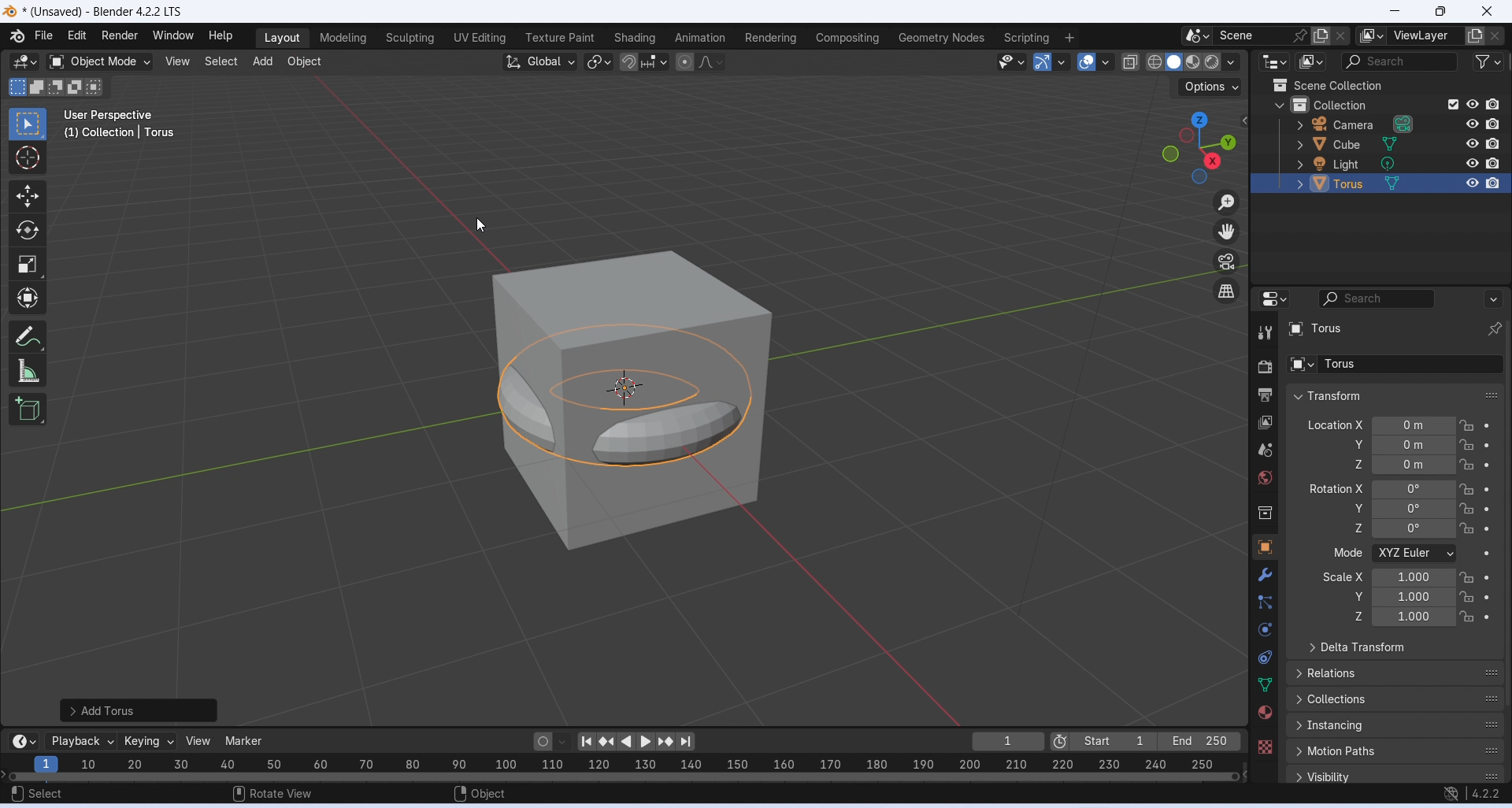 Image resolution: width=1512 pixels, height=808 pixels. Describe the element at coordinates (198, 741) in the screenshot. I see `View` at that location.